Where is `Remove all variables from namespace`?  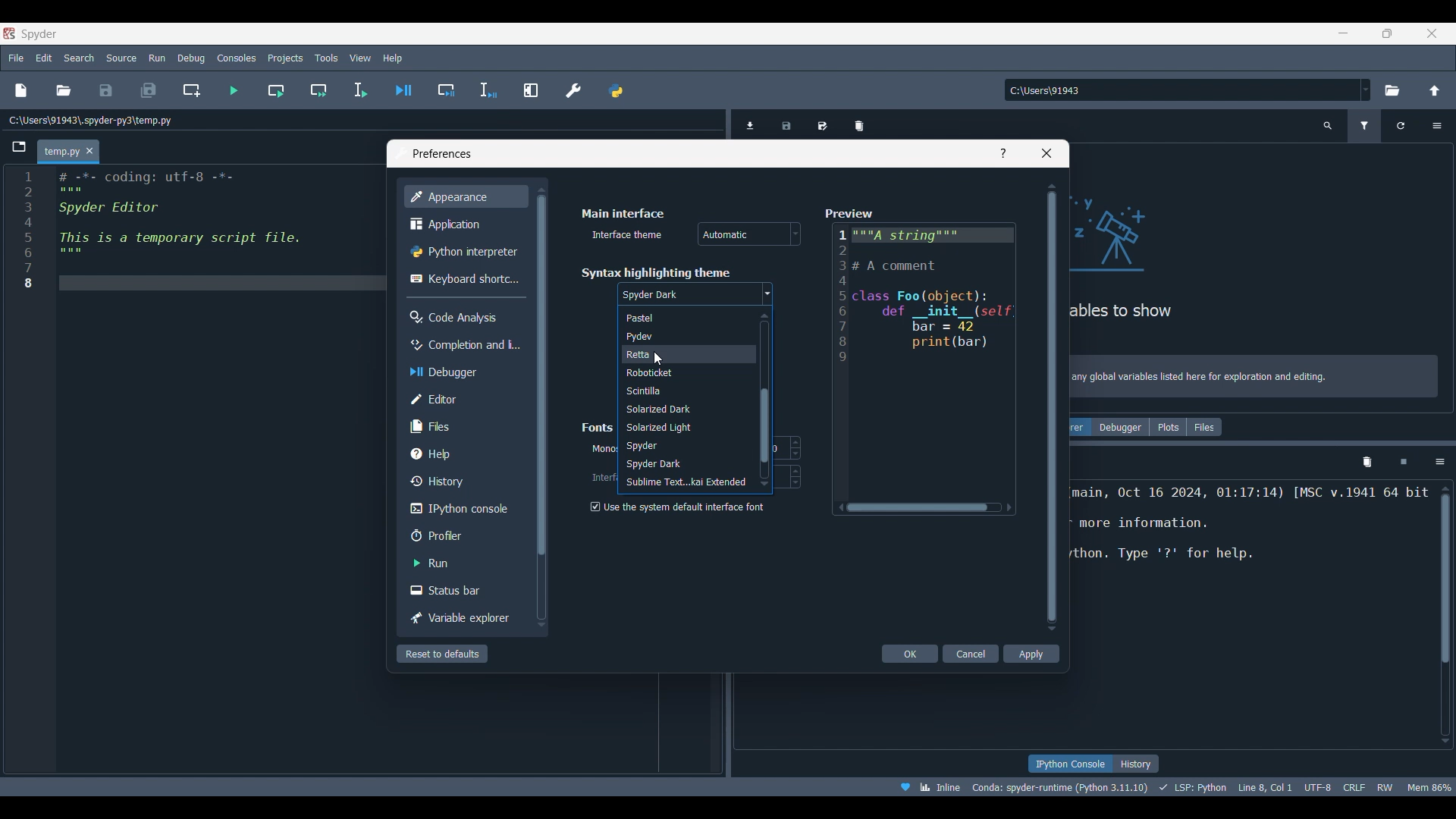
Remove all variables from namespace is located at coordinates (1367, 463).